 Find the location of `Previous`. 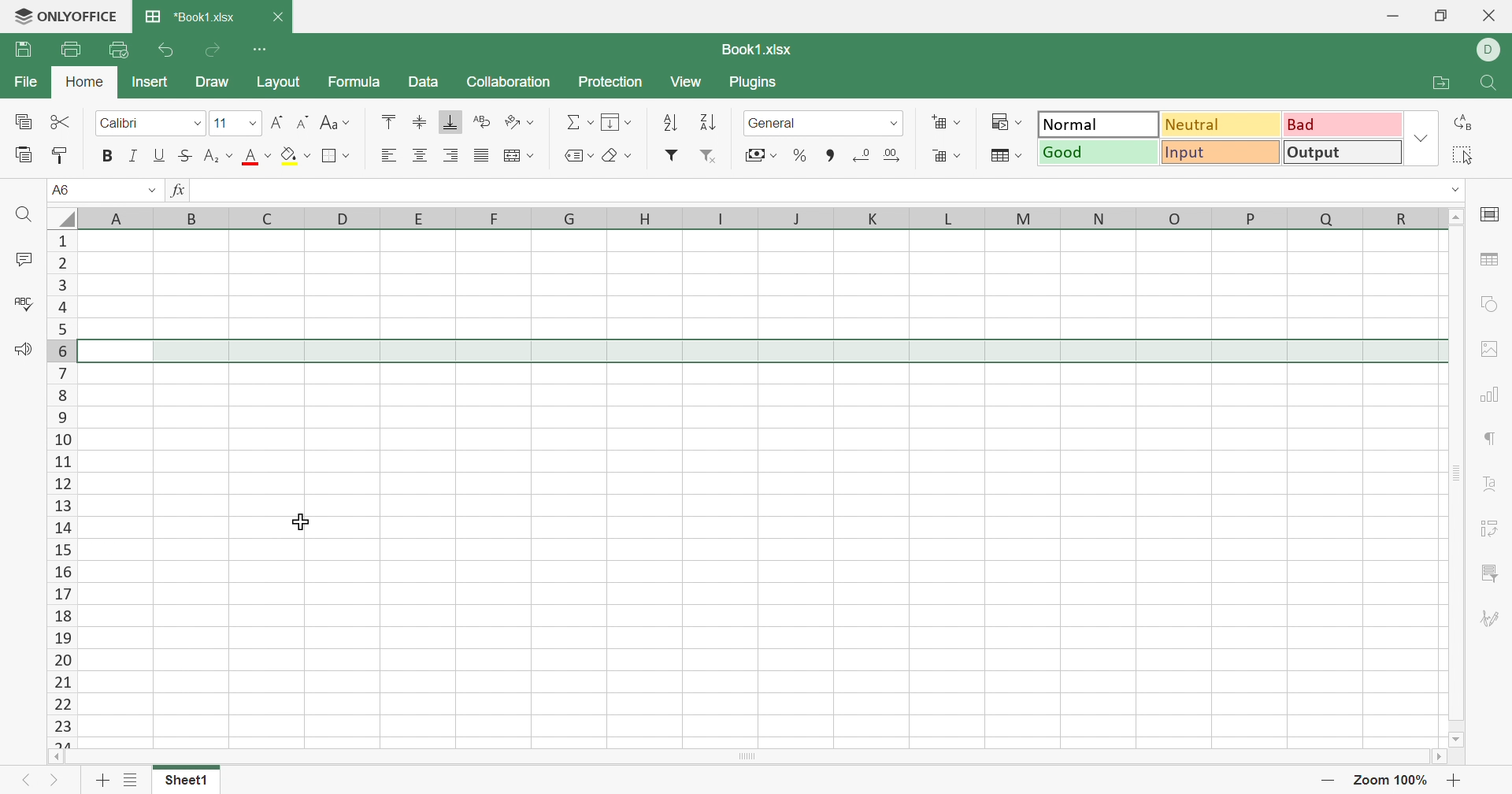

Previous is located at coordinates (25, 783).